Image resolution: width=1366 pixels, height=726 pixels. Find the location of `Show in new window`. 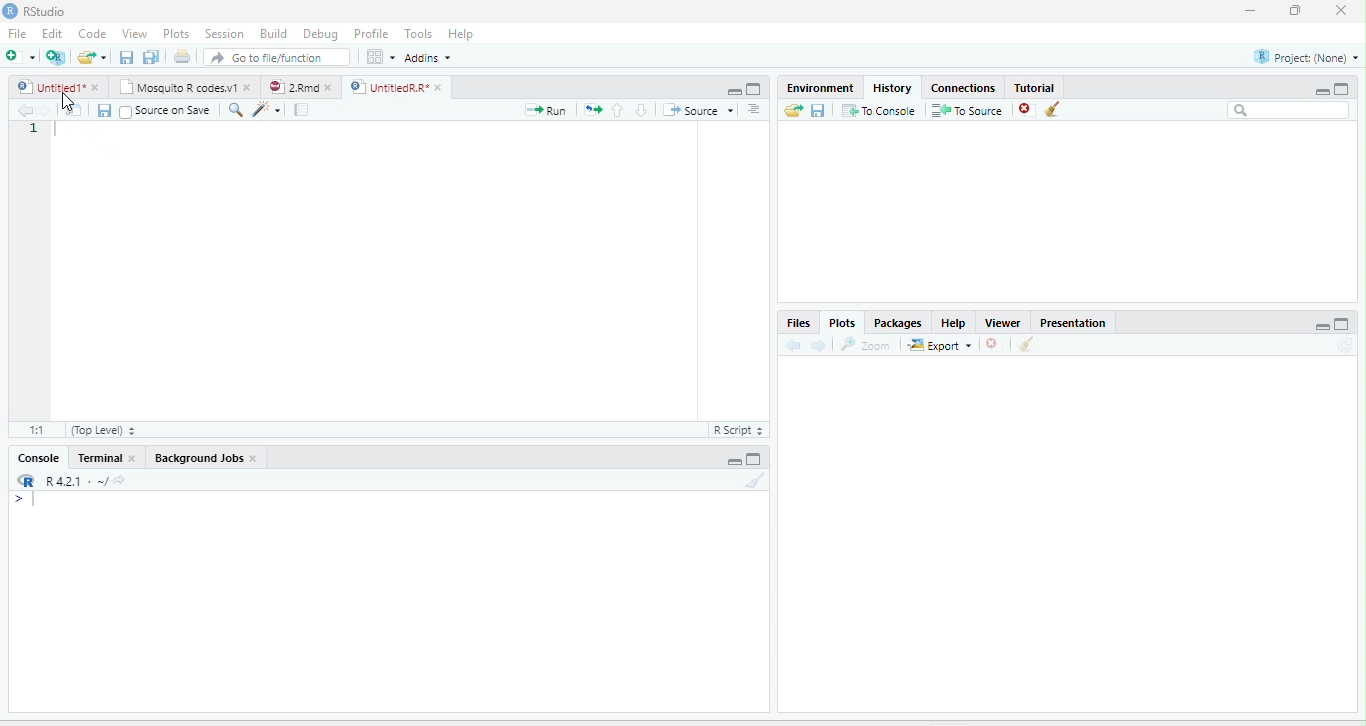

Show in new window is located at coordinates (74, 109).